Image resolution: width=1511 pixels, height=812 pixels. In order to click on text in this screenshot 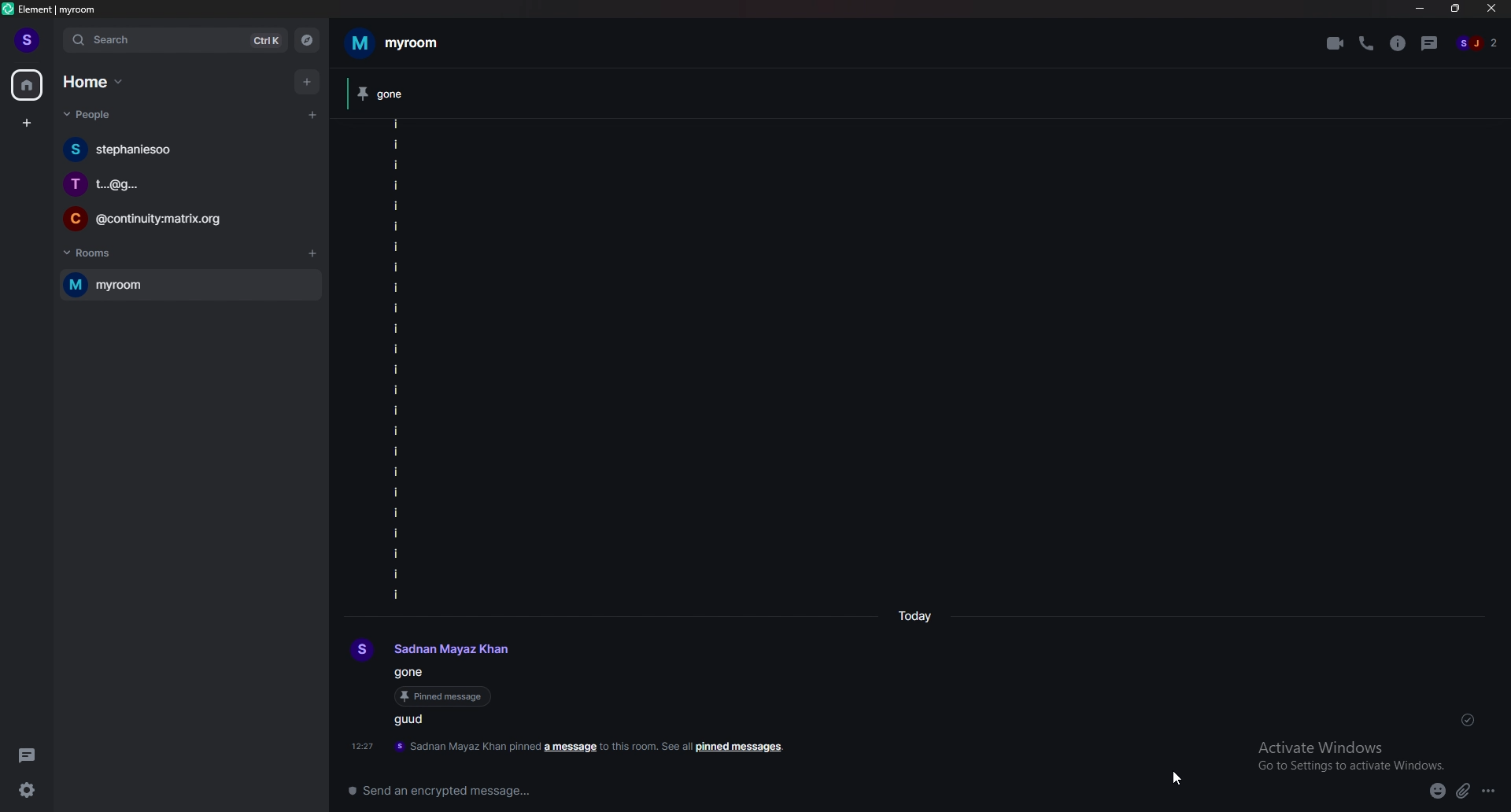, I will do `click(420, 720)`.